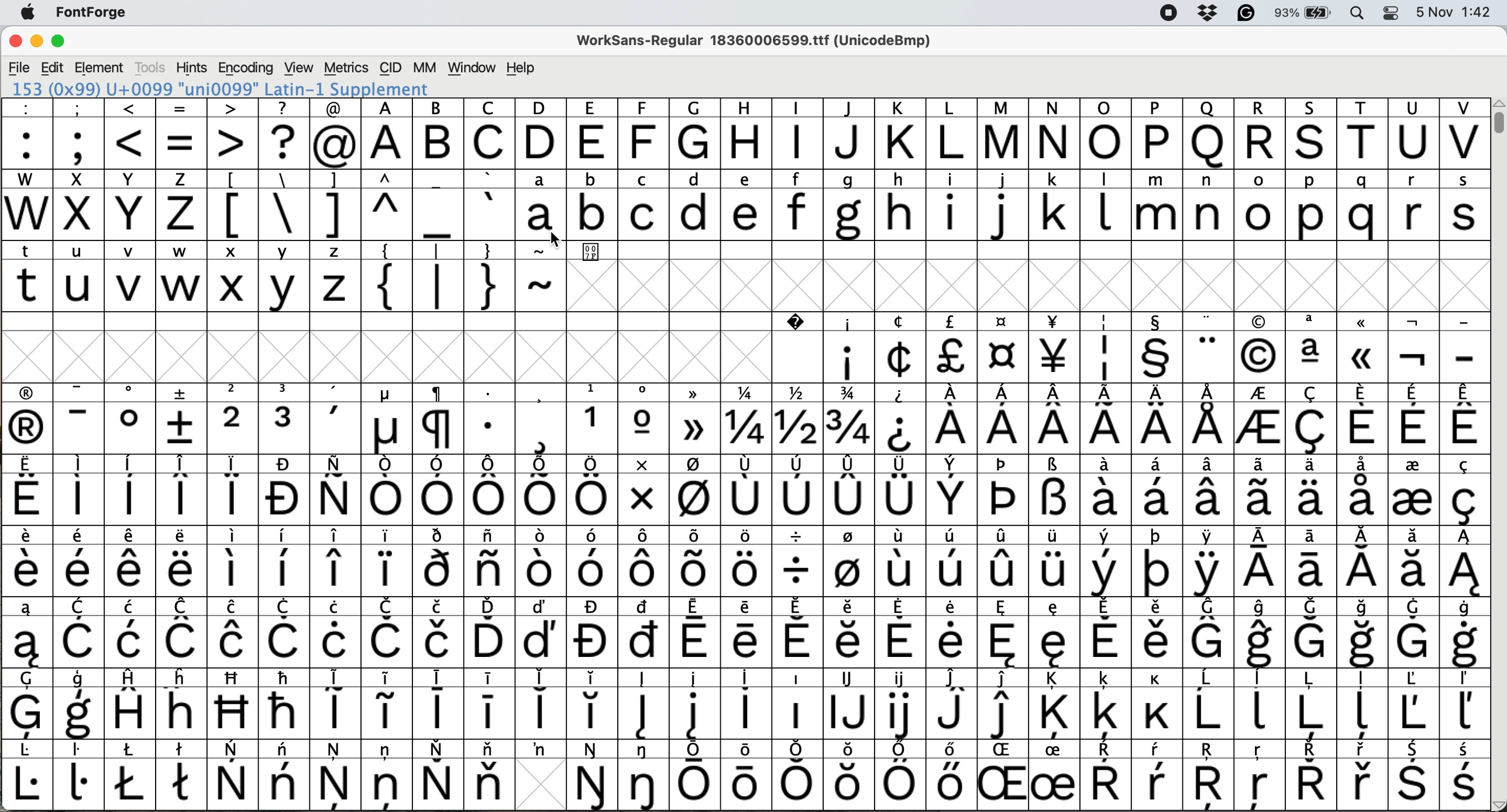 The height and width of the screenshot is (812, 1507). What do you see at coordinates (282, 277) in the screenshot?
I see `y` at bounding box center [282, 277].